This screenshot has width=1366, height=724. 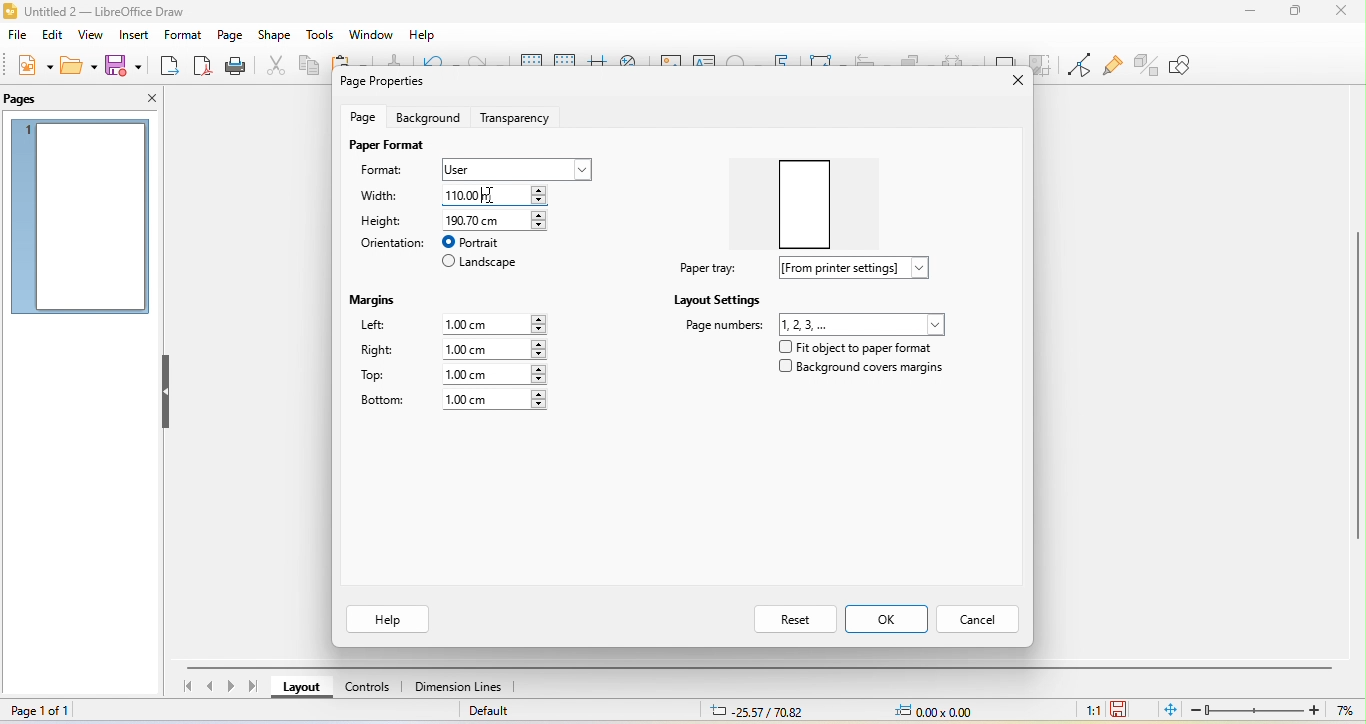 What do you see at coordinates (303, 690) in the screenshot?
I see `layout` at bounding box center [303, 690].